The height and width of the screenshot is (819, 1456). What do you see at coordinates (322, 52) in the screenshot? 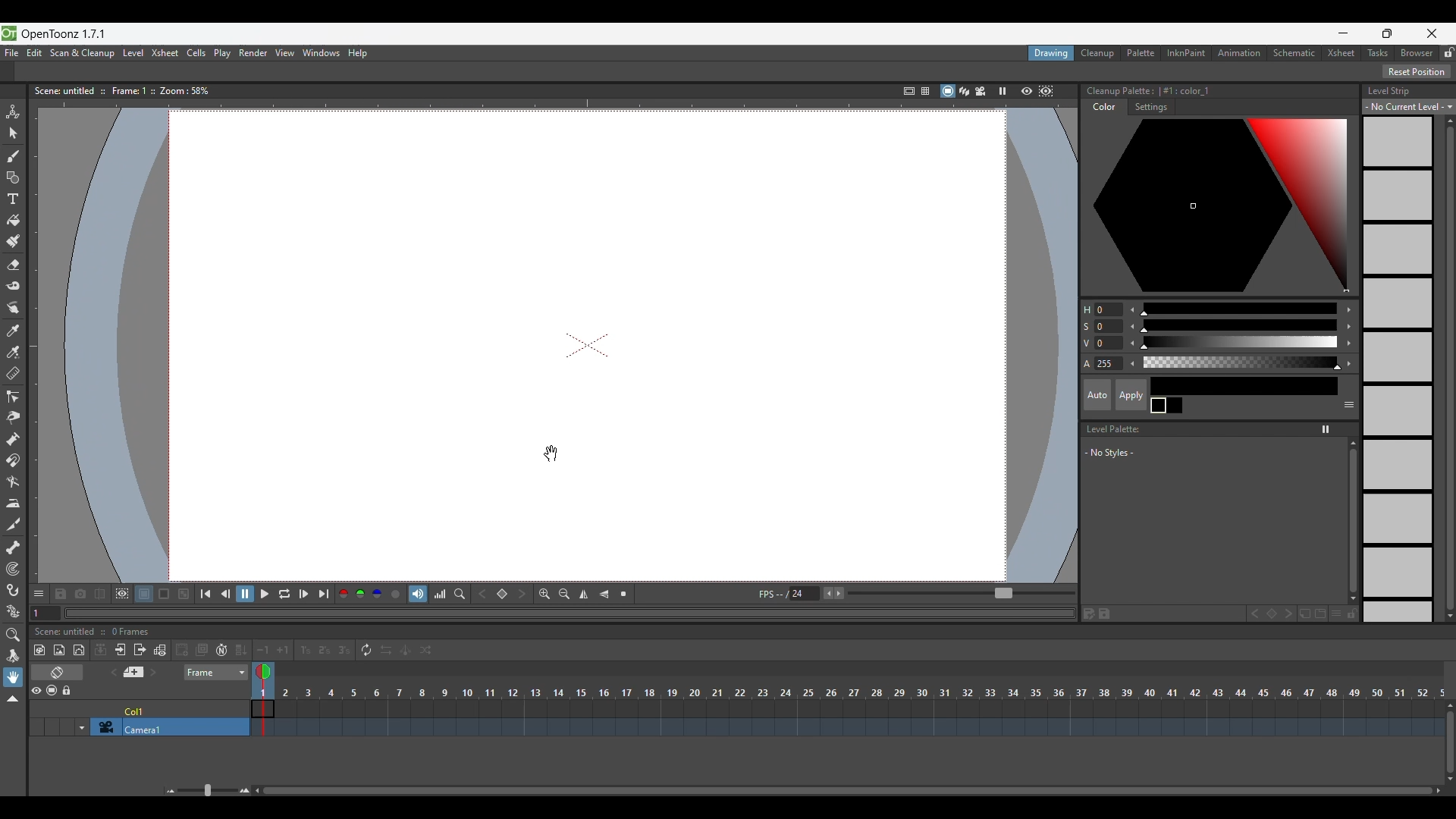
I see `Windows` at bounding box center [322, 52].